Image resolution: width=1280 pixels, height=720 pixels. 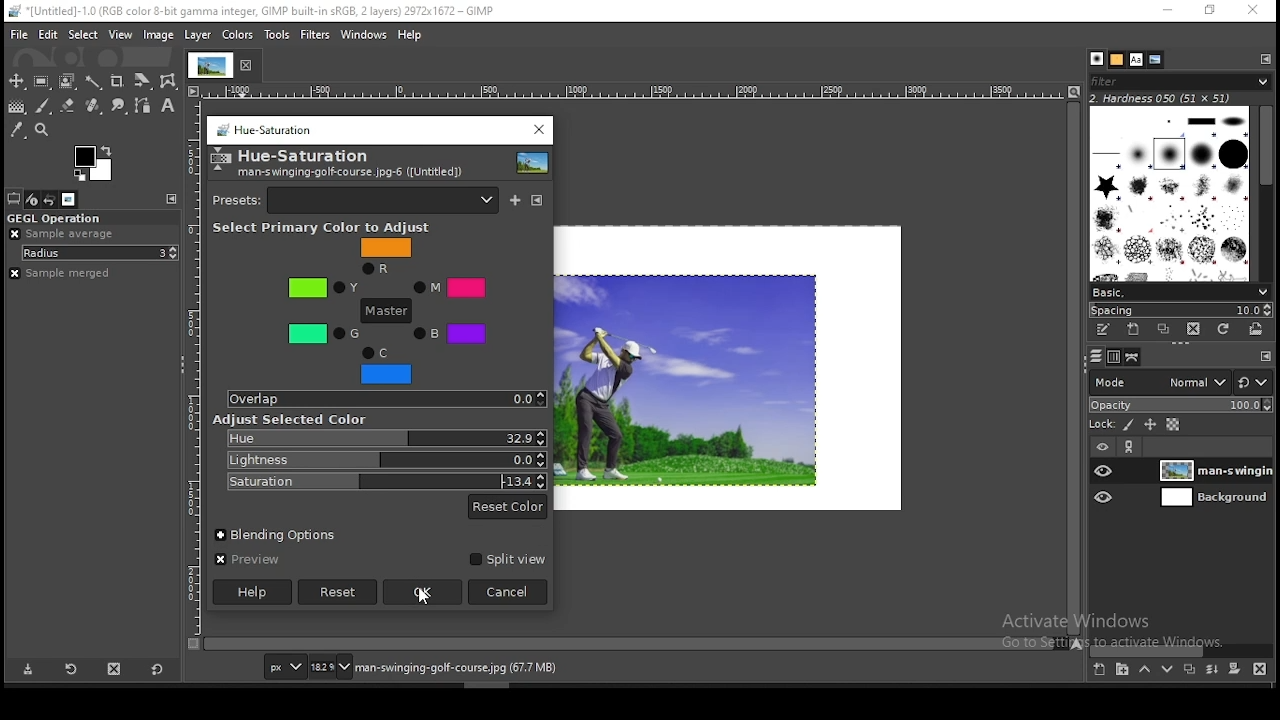 I want to click on overlap, so click(x=386, y=400).